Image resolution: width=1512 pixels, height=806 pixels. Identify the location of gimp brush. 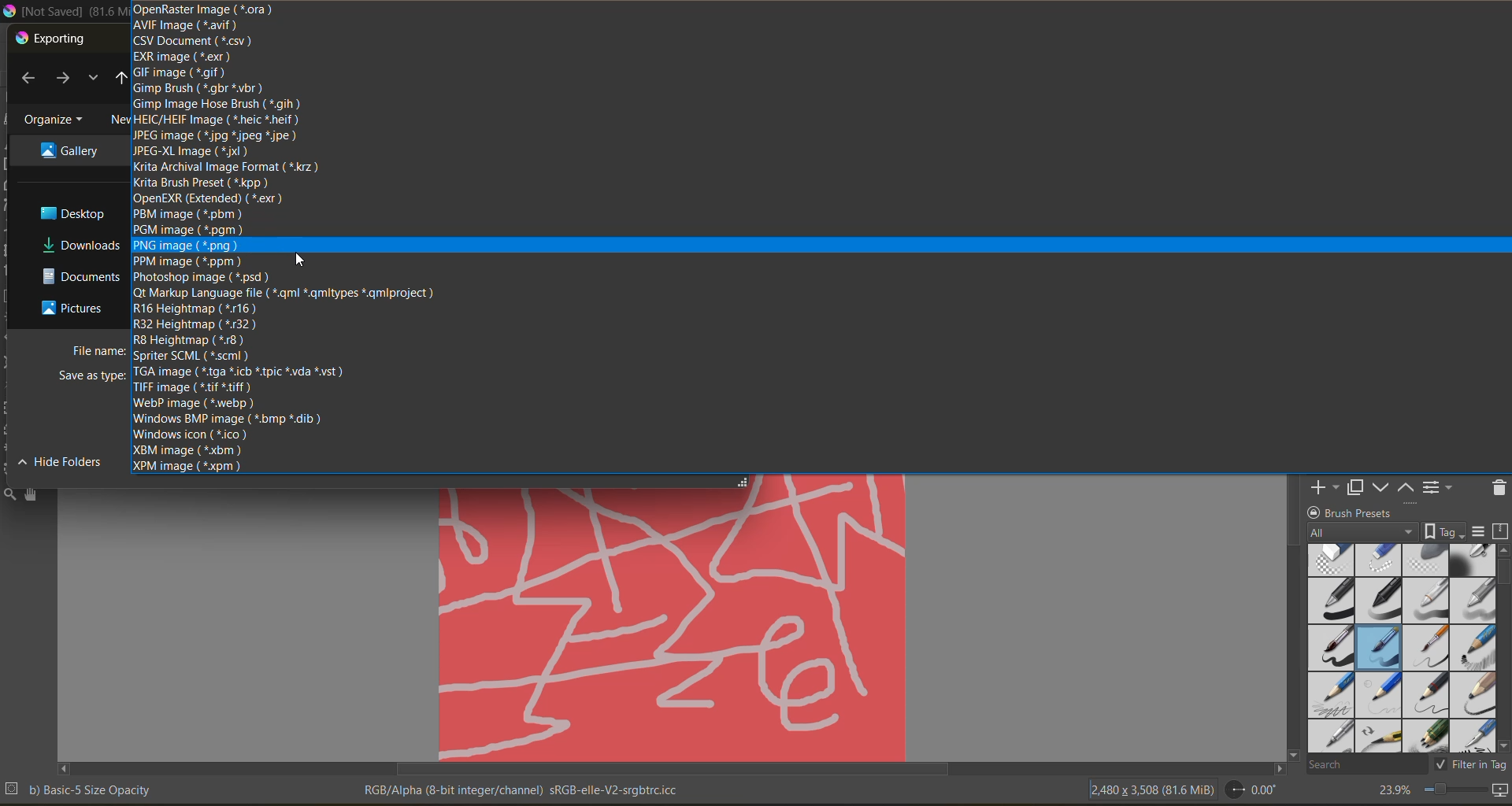
(197, 89).